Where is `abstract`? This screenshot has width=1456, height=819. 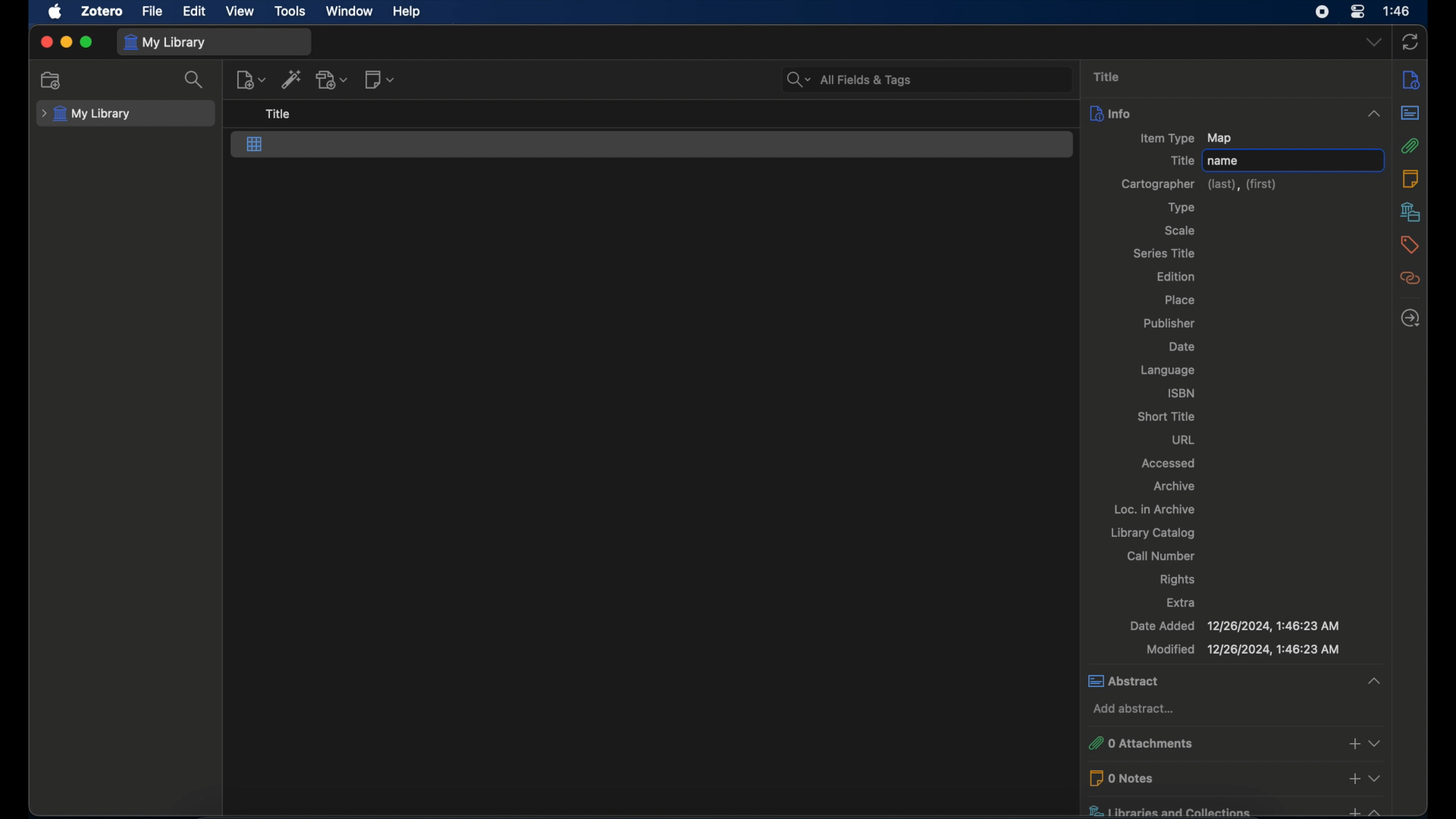 abstract is located at coordinates (1216, 679).